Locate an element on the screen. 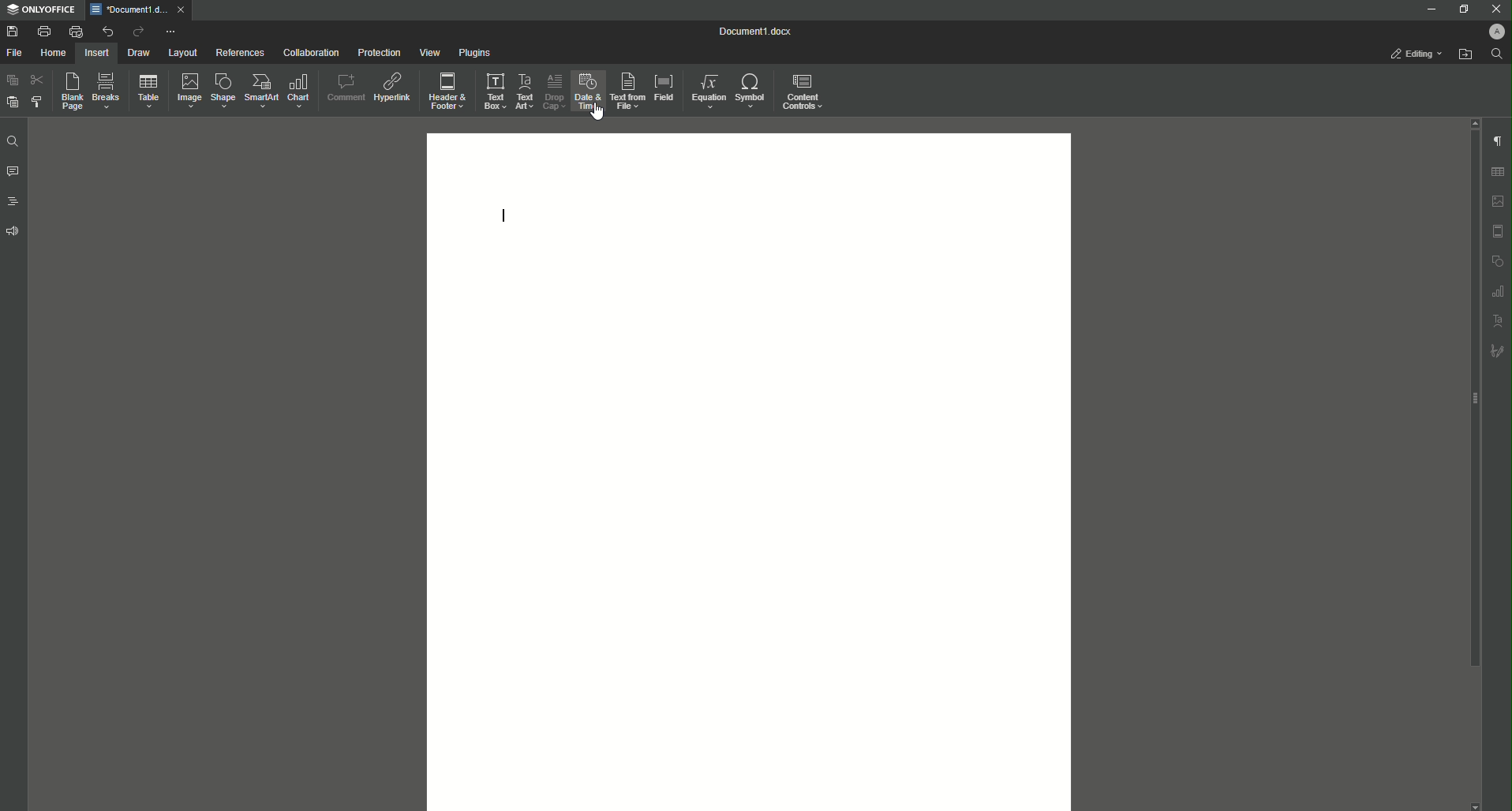 The height and width of the screenshot is (811, 1512). Cut is located at coordinates (36, 80).